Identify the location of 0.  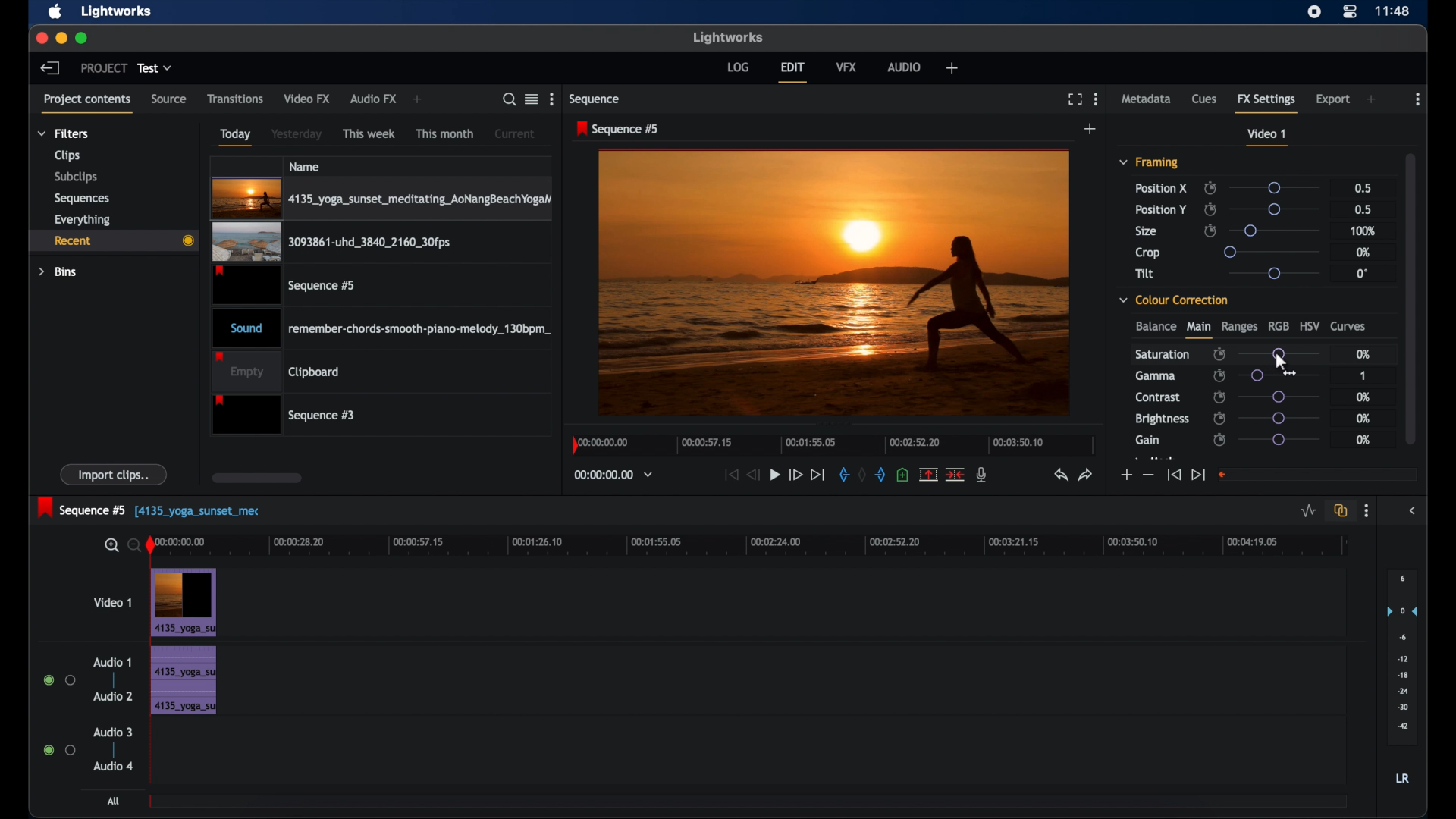
(1364, 273).